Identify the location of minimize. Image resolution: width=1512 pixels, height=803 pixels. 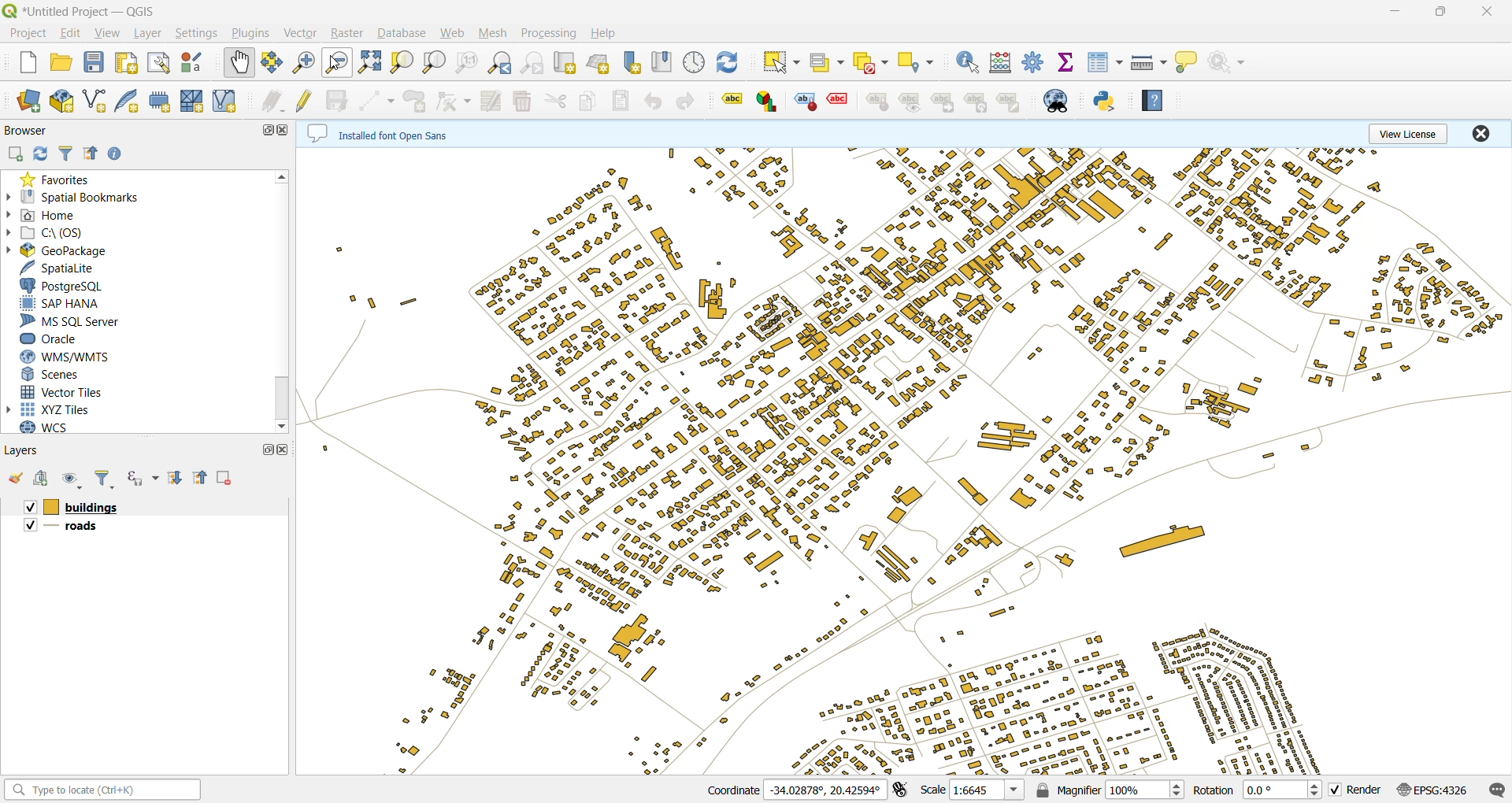
(1403, 10).